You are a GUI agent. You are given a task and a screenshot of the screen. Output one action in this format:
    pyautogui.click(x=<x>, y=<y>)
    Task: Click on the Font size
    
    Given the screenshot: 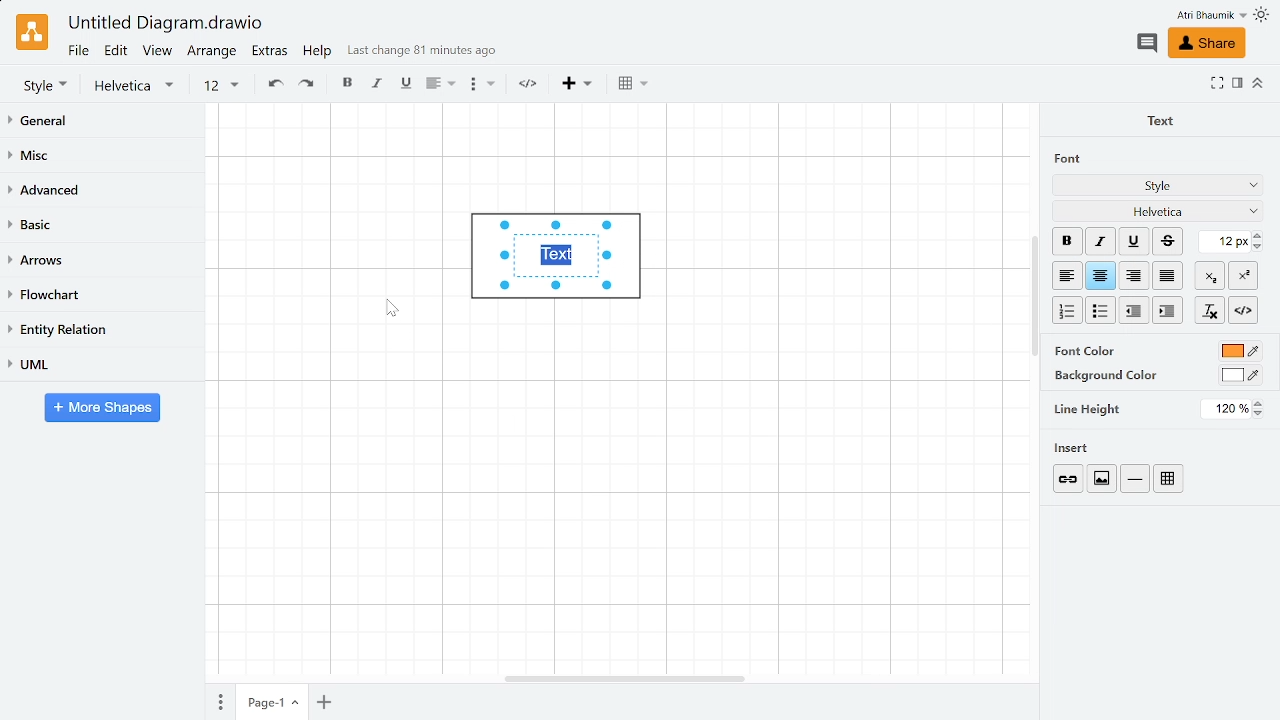 What is the action you would take?
    pyautogui.click(x=1225, y=242)
    